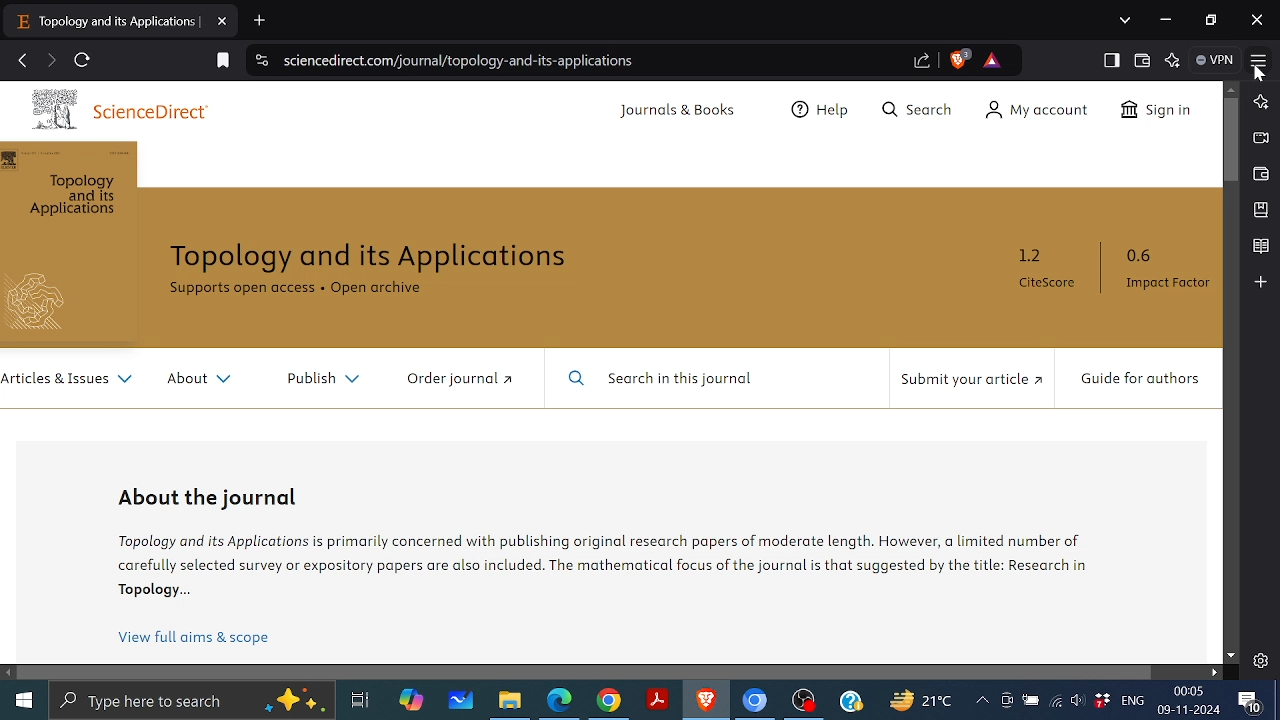 The width and height of the screenshot is (1280, 720). I want to click on Files, so click(510, 703).